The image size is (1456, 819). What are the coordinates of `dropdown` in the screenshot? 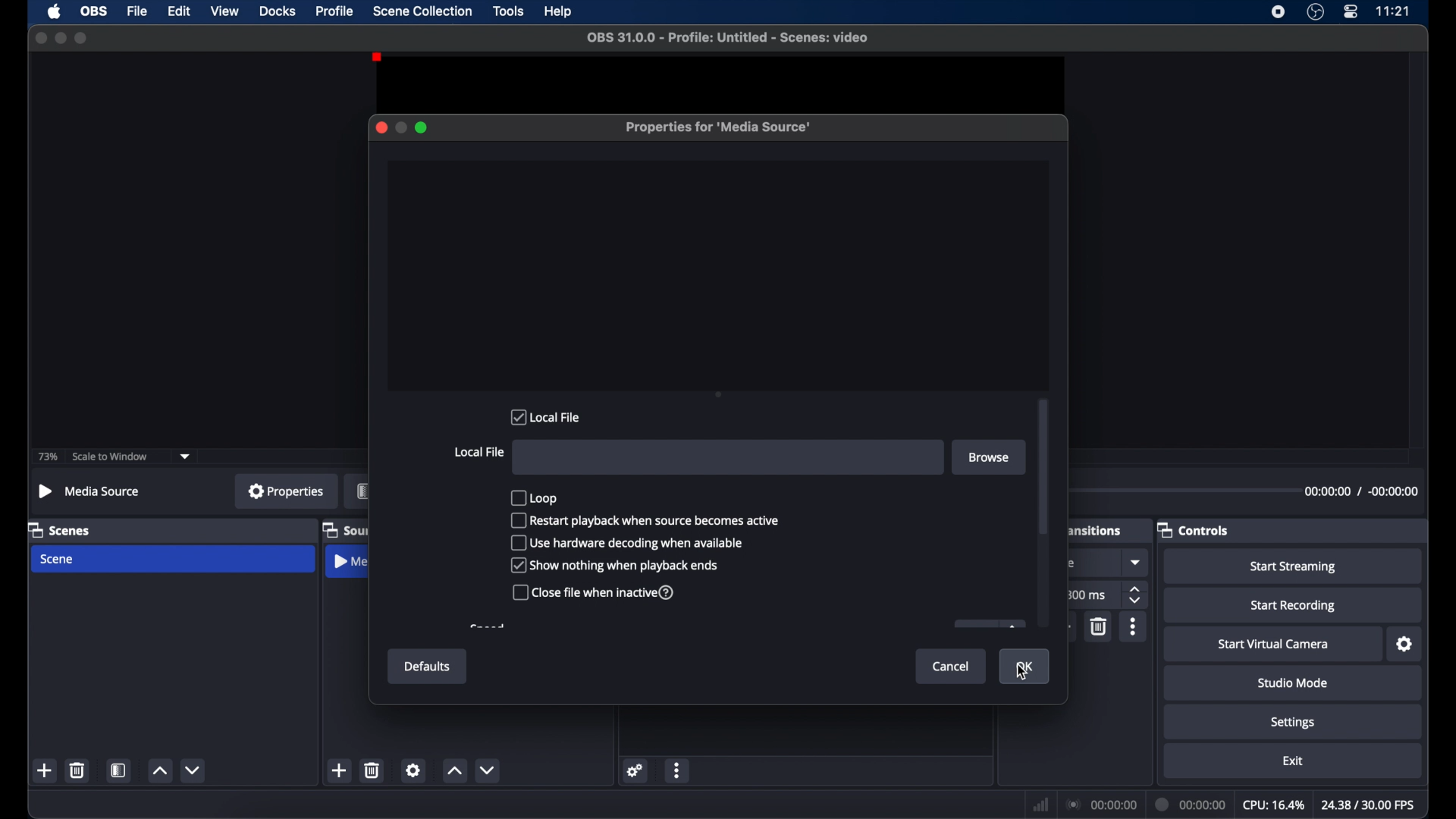 It's located at (185, 457).